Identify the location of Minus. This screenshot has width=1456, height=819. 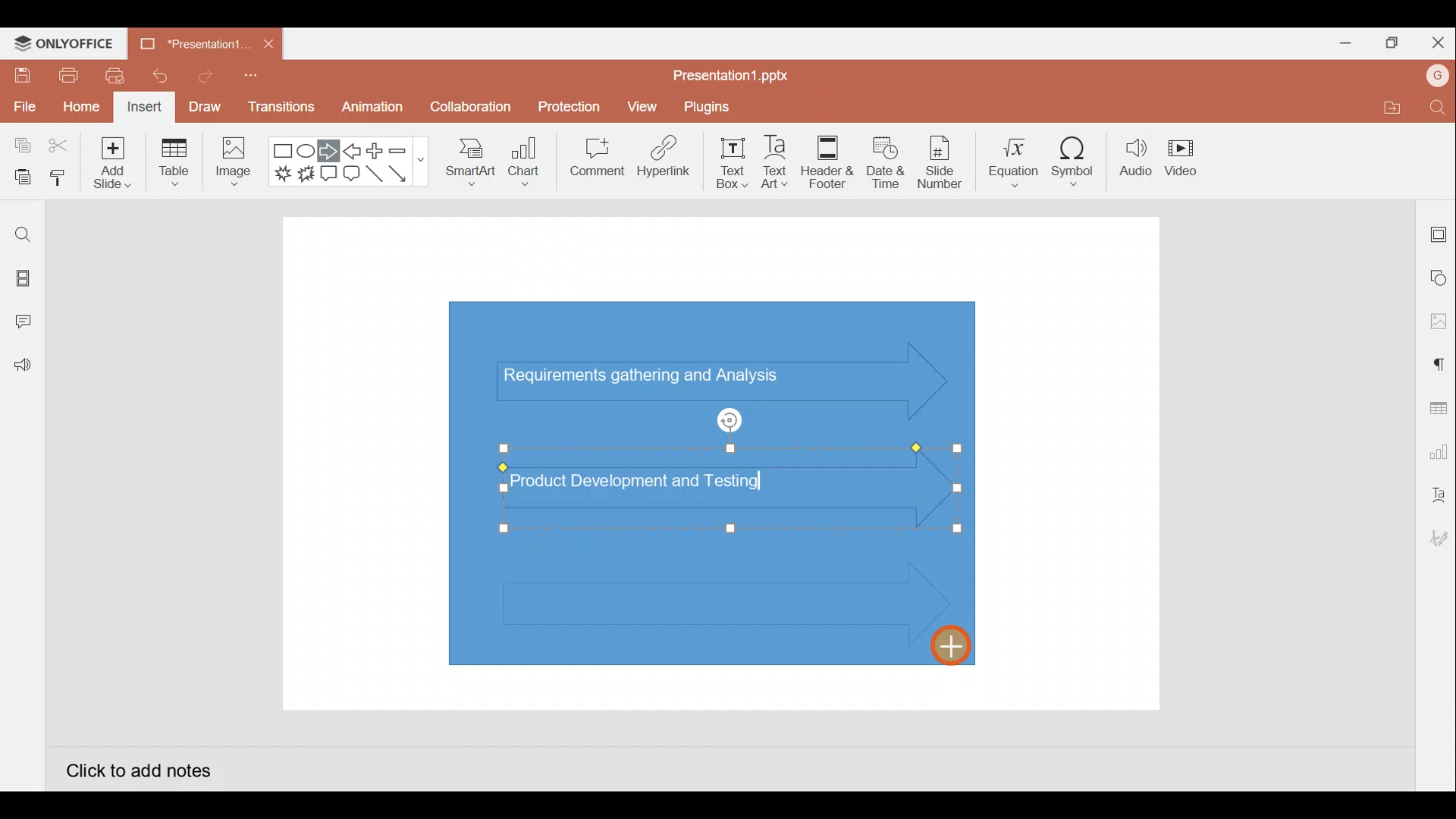
(406, 149).